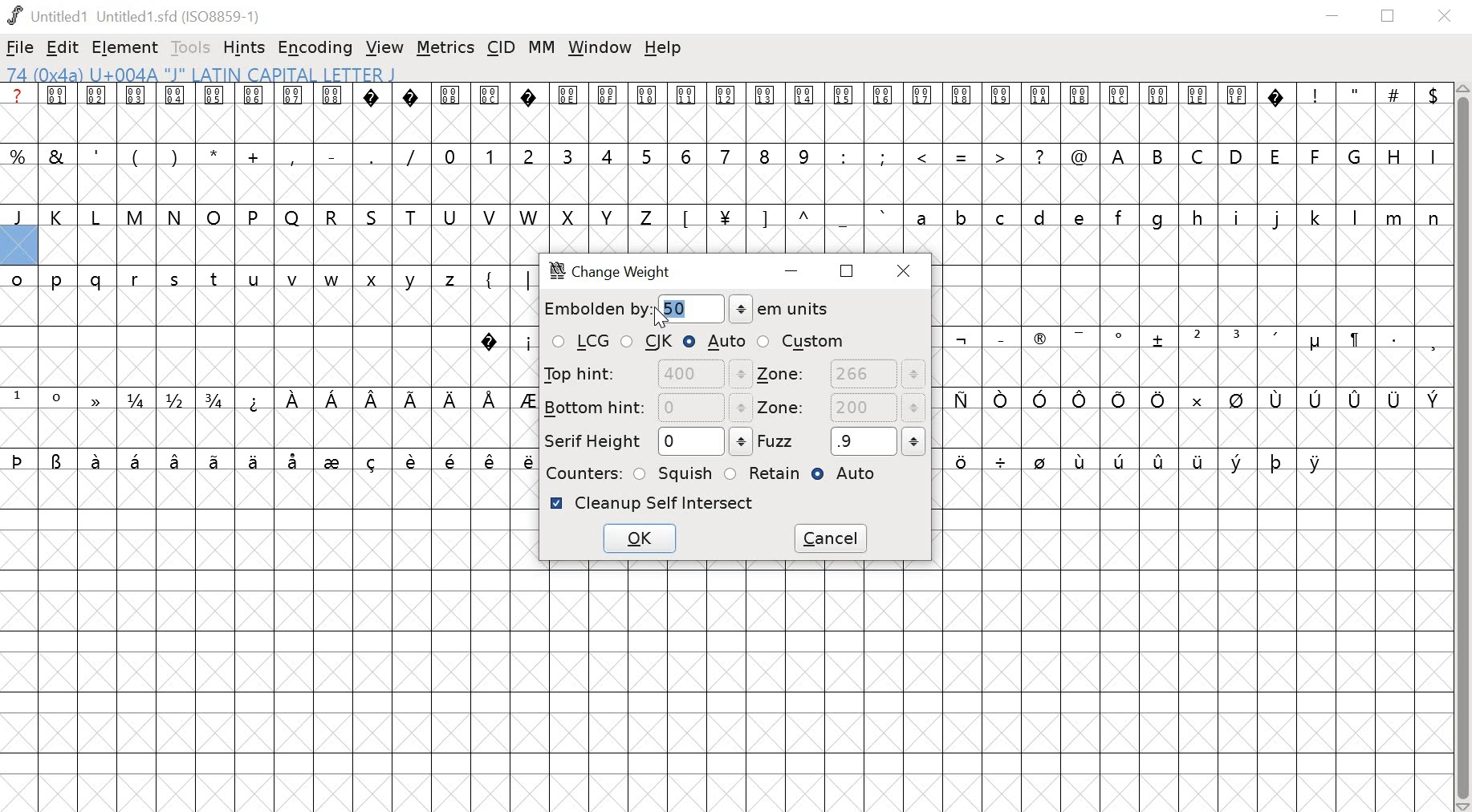 The image size is (1472, 812). What do you see at coordinates (238, 282) in the screenshot?
I see `lowercase letters` at bounding box center [238, 282].